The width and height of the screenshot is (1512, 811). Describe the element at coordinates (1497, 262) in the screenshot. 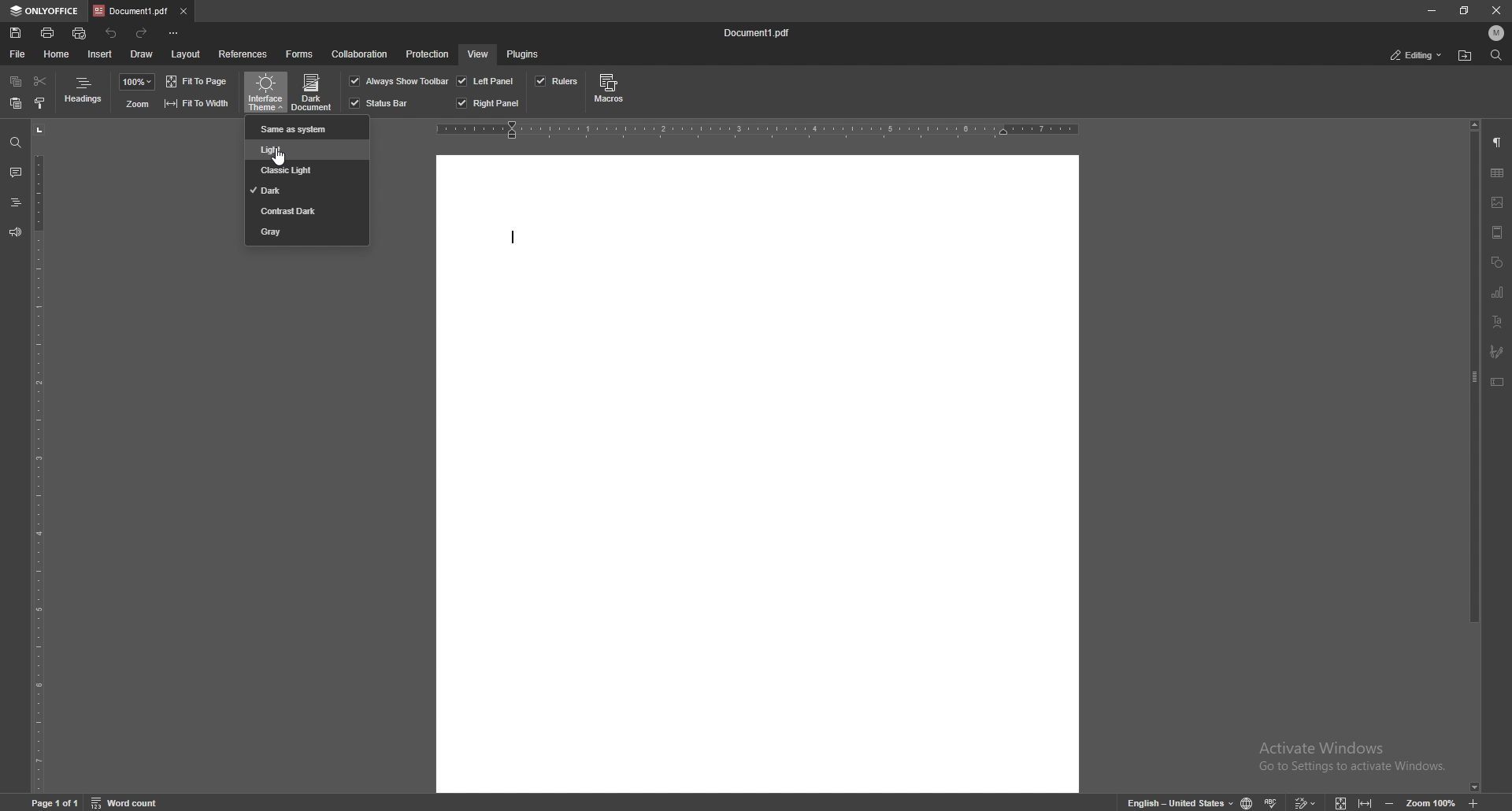

I see `shapes` at that location.